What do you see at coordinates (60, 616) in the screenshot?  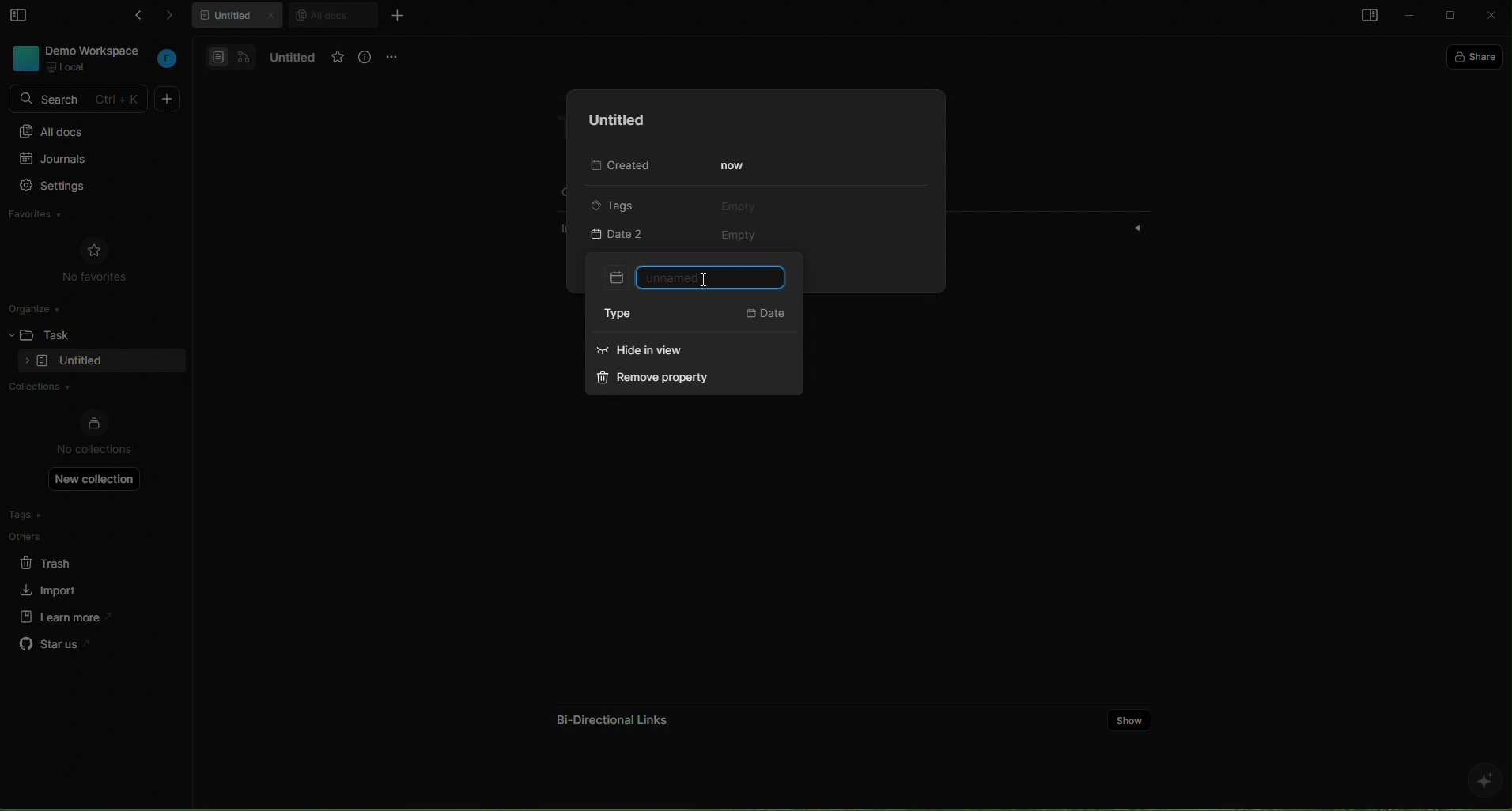 I see `learn more ` at bounding box center [60, 616].